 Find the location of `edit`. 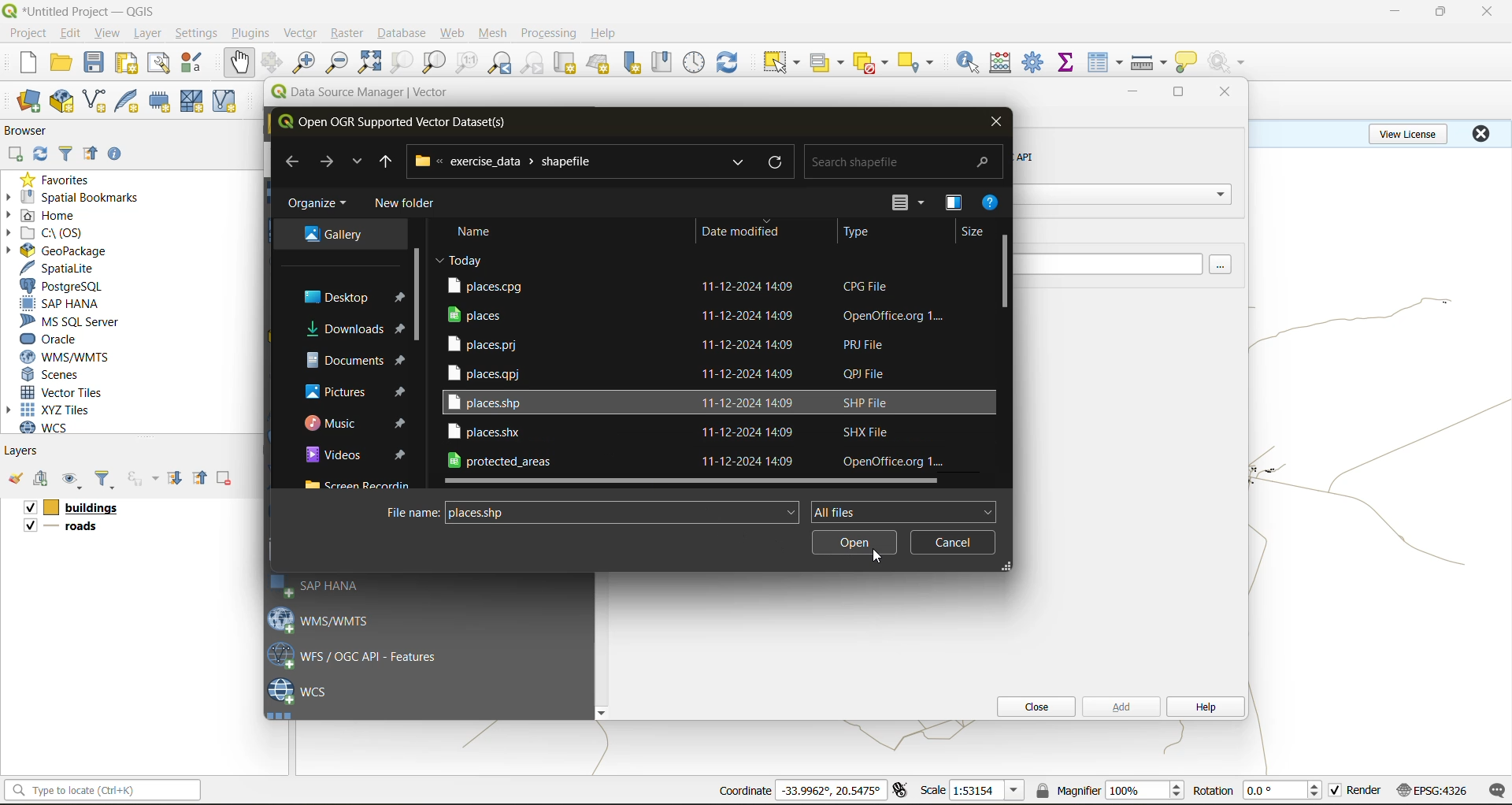

edit is located at coordinates (71, 35).